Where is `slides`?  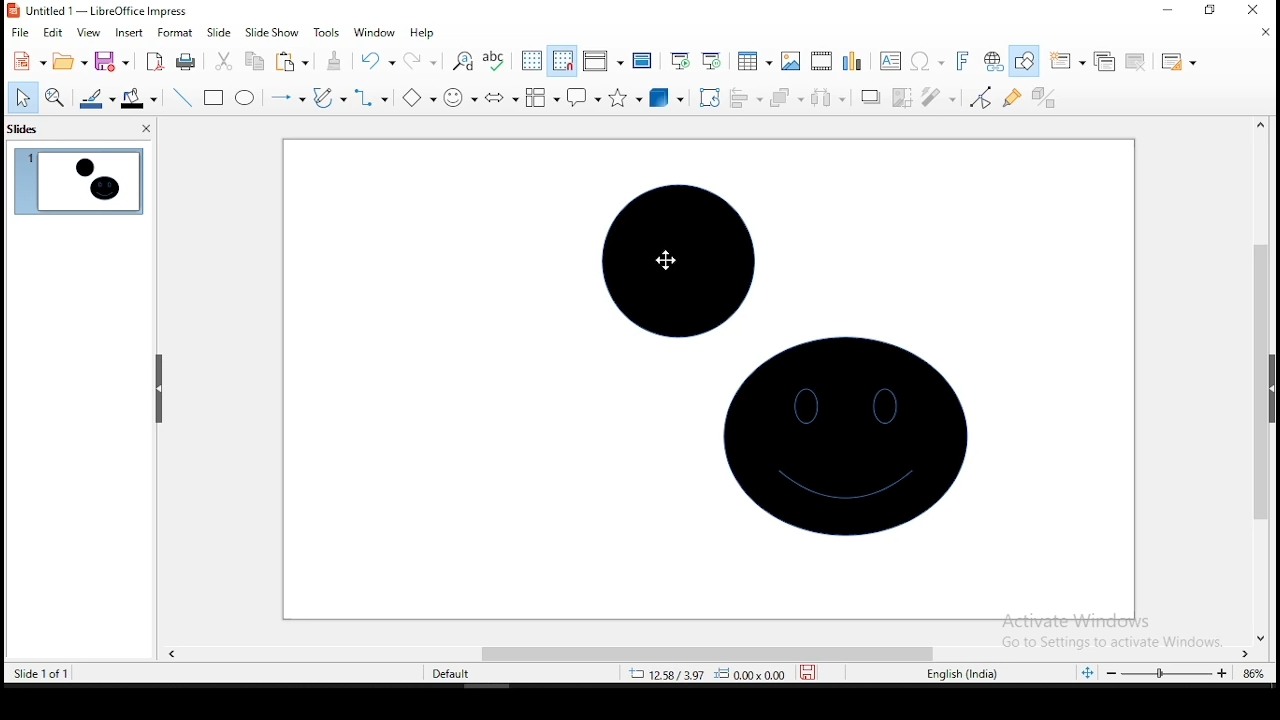 slides is located at coordinates (24, 131).